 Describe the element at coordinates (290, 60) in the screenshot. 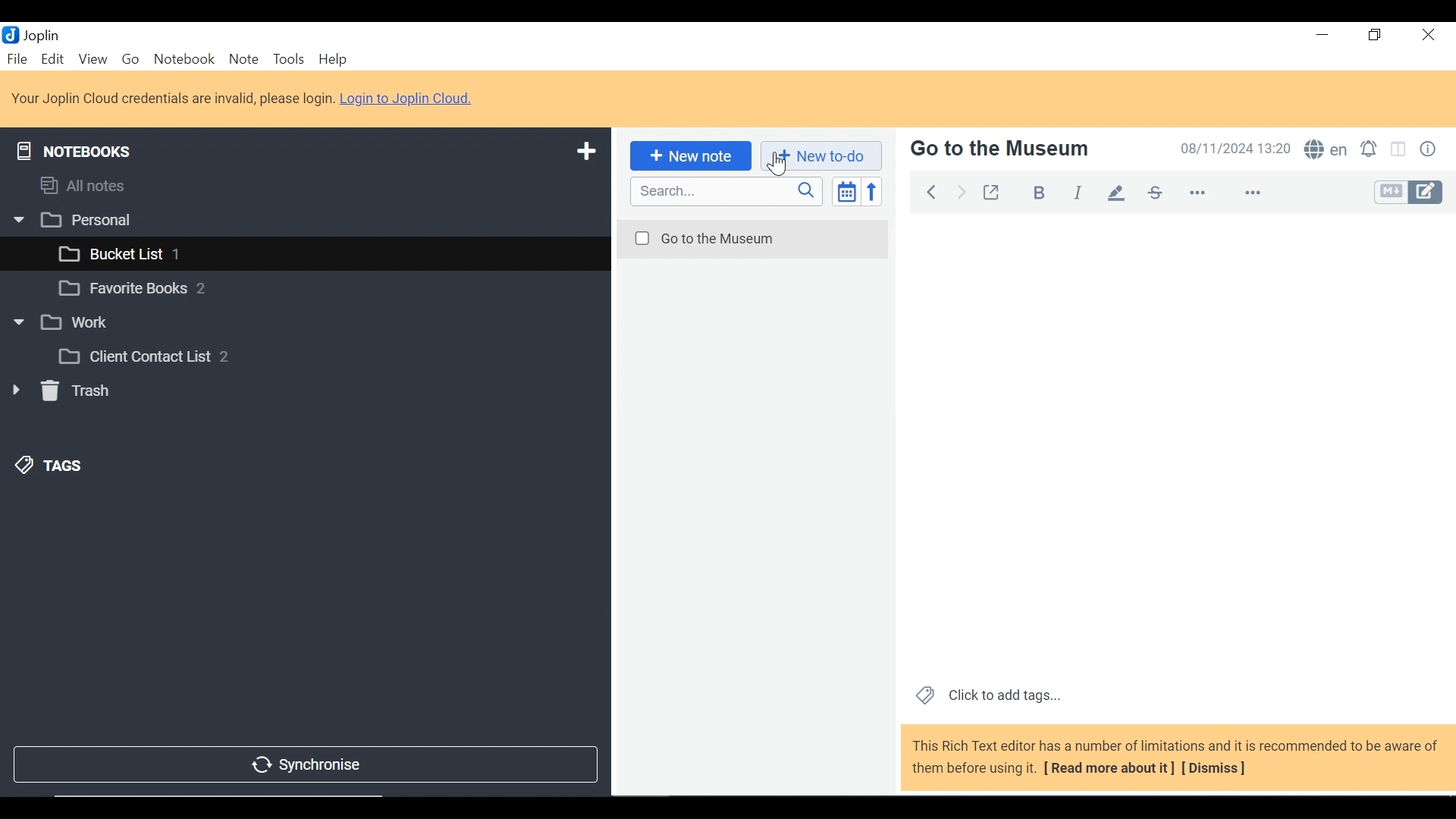

I see `Tools` at that location.